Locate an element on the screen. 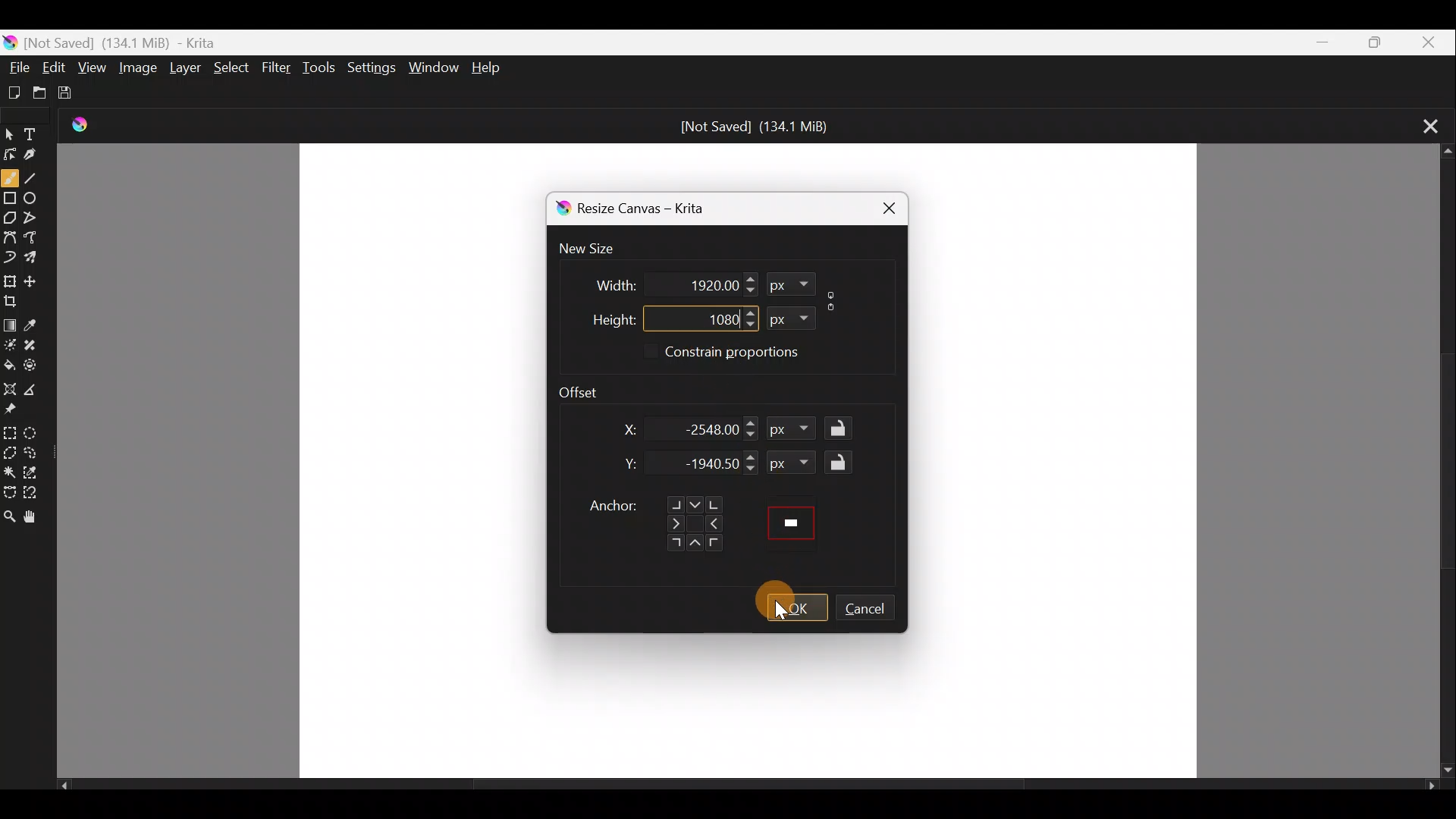 This screenshot has width=1456, height=819. Minimize is located at coordinates (1314, 42).